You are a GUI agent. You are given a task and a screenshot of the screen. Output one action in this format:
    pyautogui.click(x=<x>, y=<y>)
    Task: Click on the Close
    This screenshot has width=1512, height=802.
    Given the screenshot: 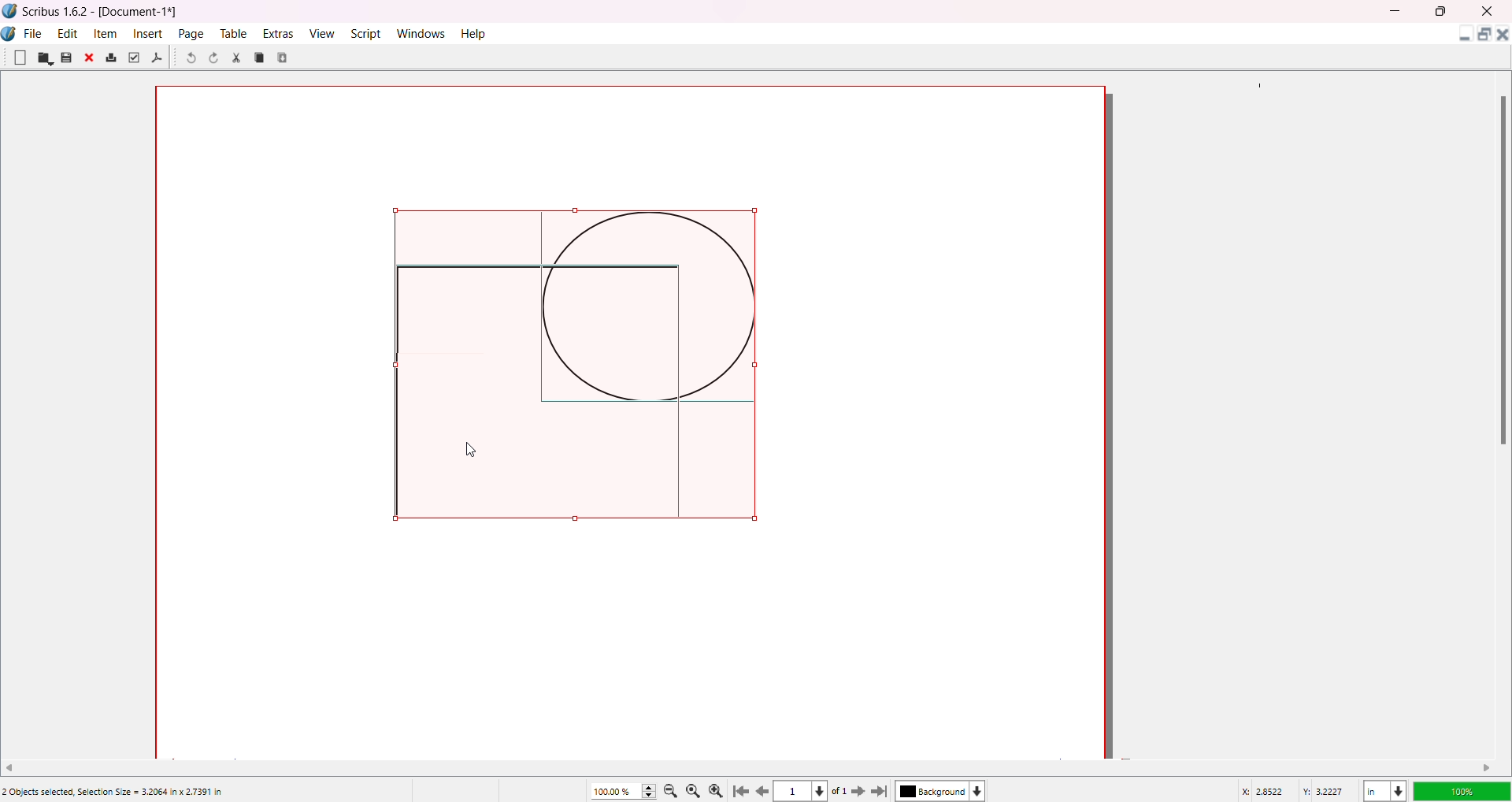 What is the action you would take?
    pyautogui.click(x=91, y=59)
    